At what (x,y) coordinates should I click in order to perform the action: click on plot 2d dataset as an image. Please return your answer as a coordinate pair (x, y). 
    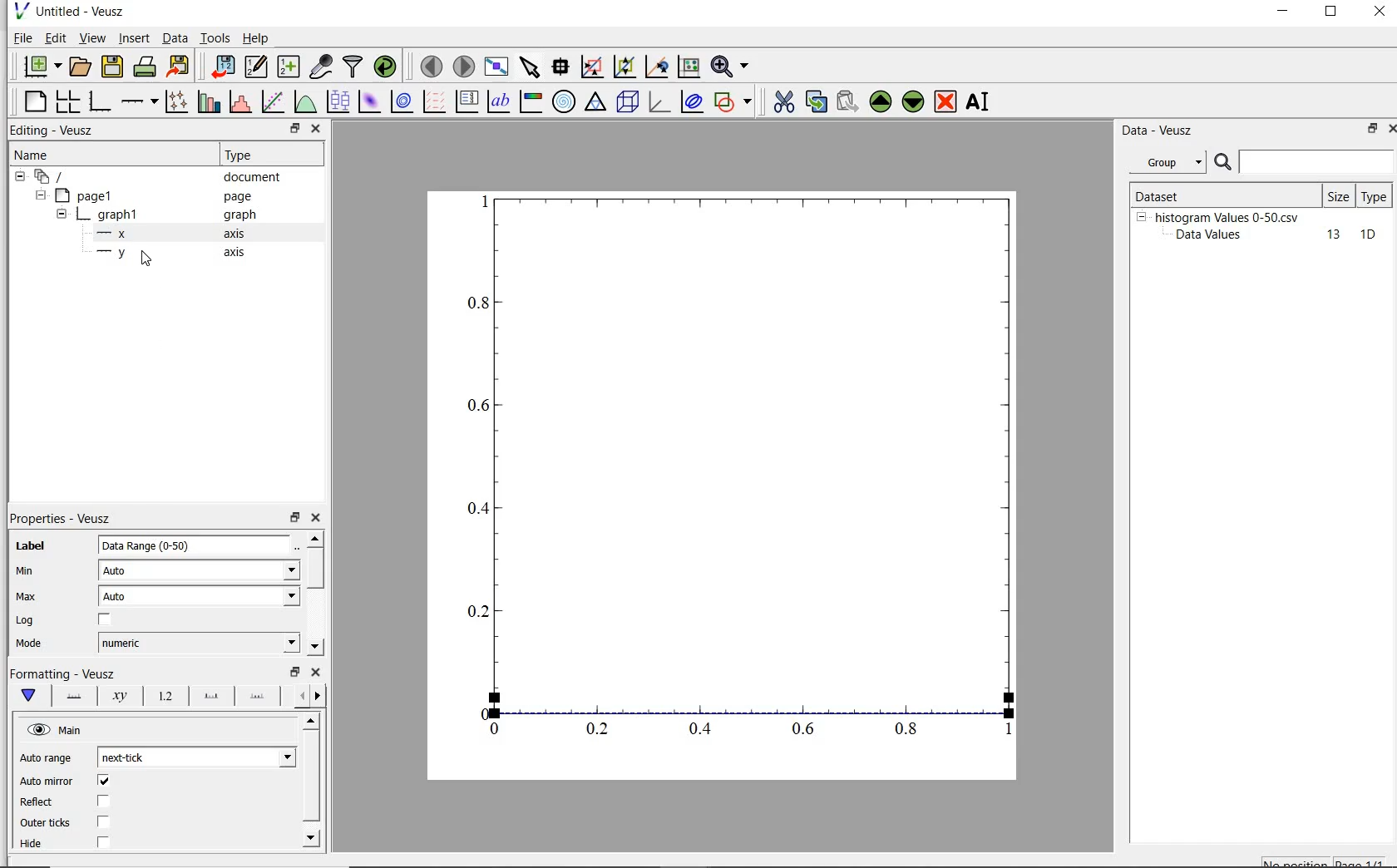
    Looking at the image, I should click on (369, 101).